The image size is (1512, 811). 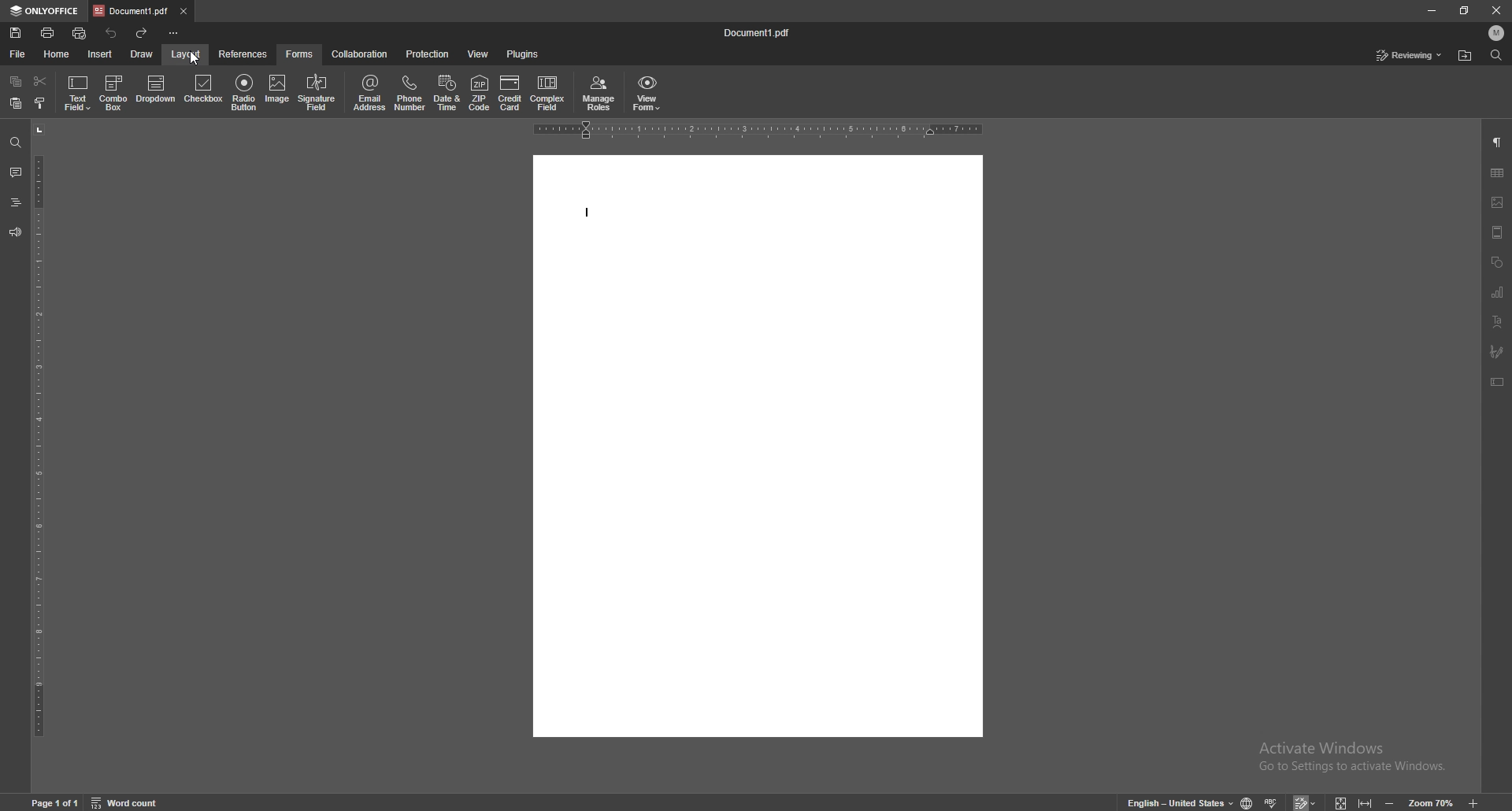 I want to click on dropdown, so click(x=157, y=90).